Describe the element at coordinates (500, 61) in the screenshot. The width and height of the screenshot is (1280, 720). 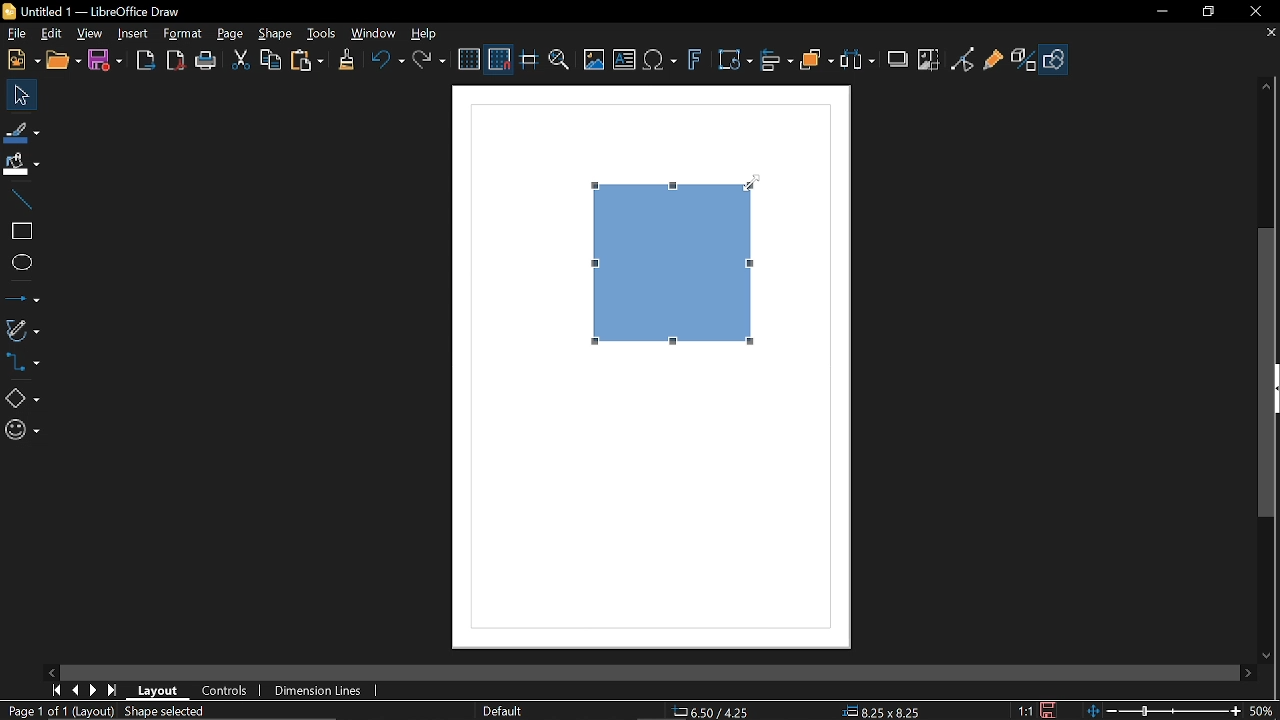
I see `Snap to grid` at that location.